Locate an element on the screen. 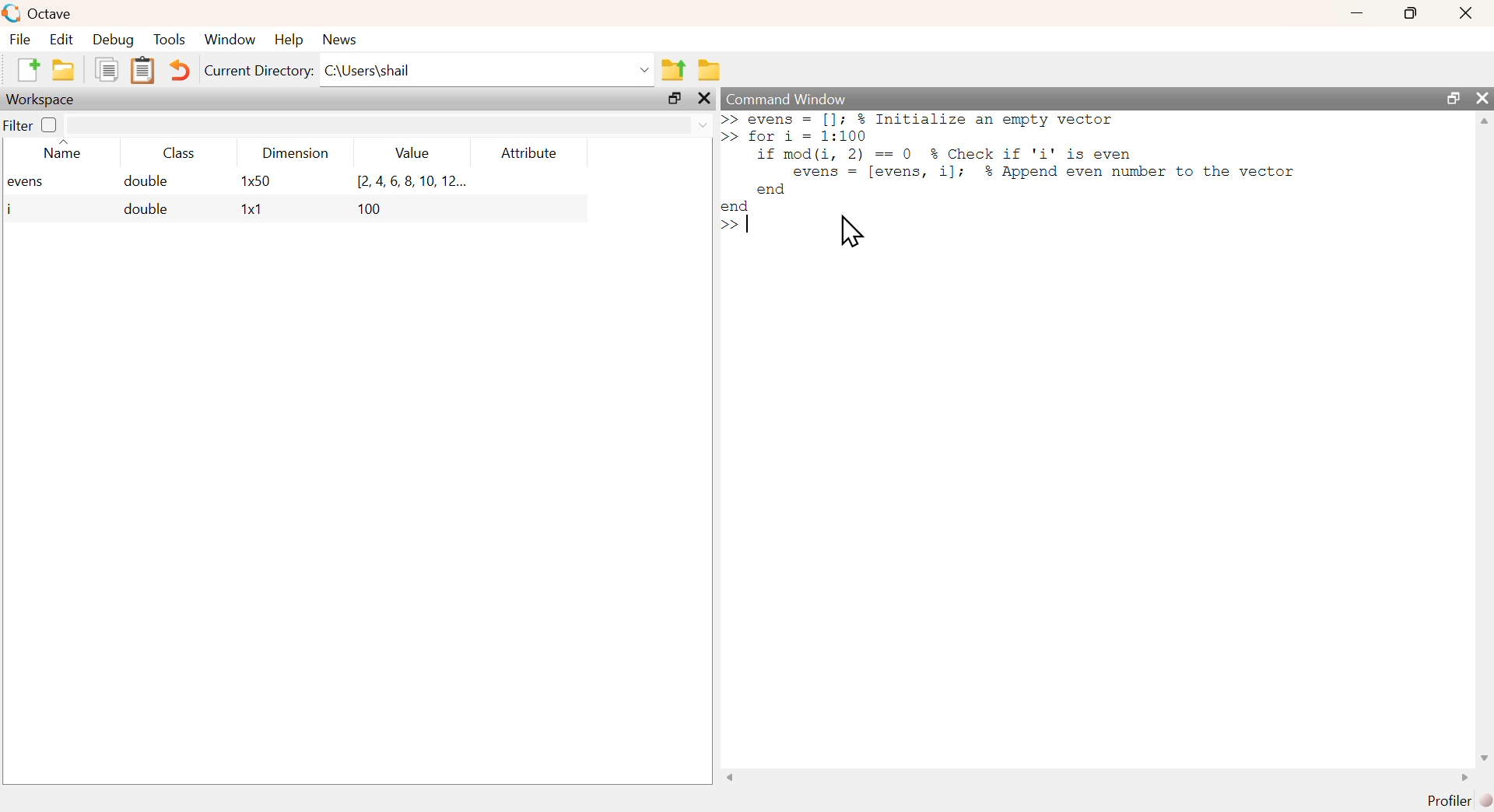  maximize is located at coordinates (670, 100).